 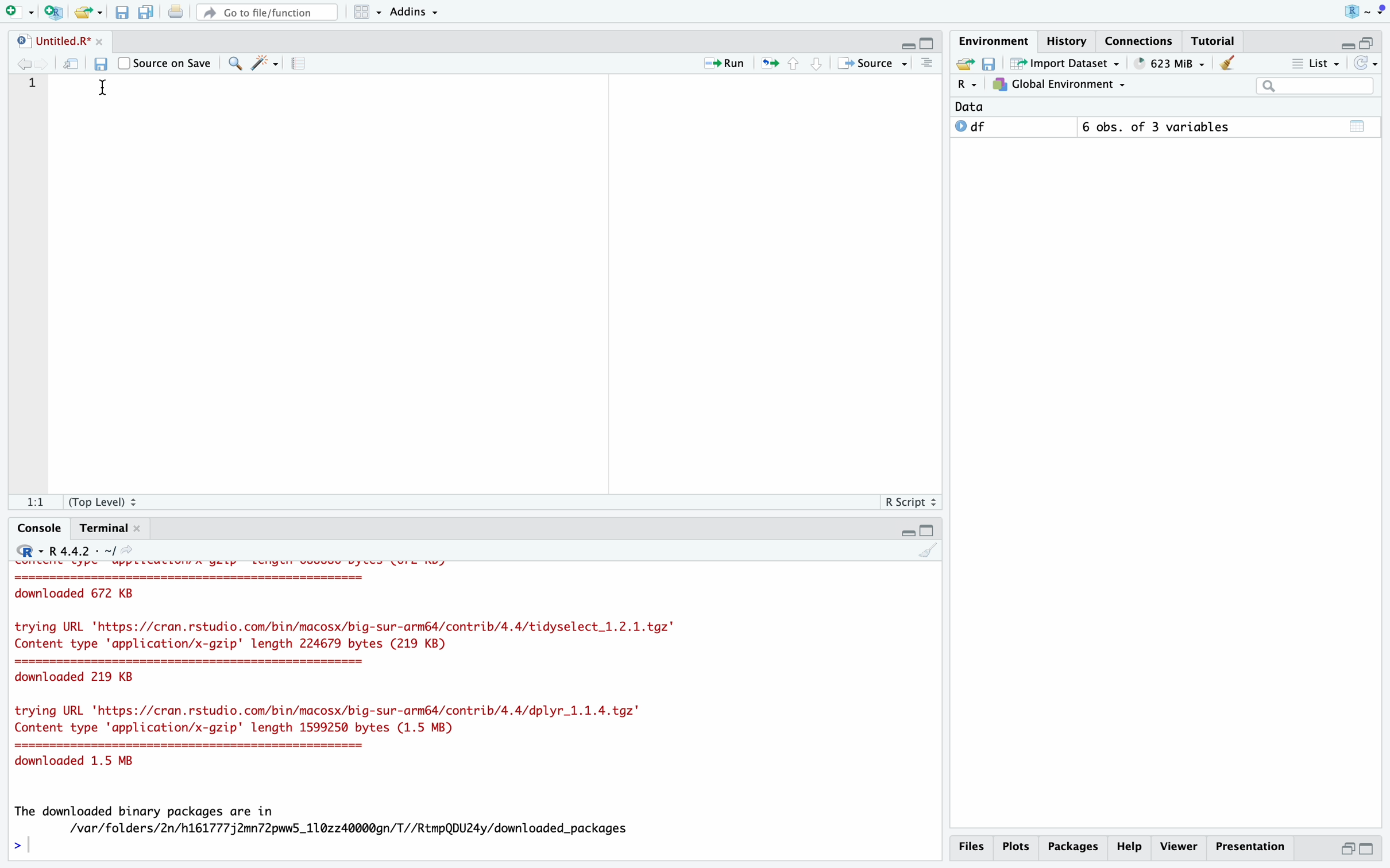 I want to click on Environment, so click(x=994, y=40).